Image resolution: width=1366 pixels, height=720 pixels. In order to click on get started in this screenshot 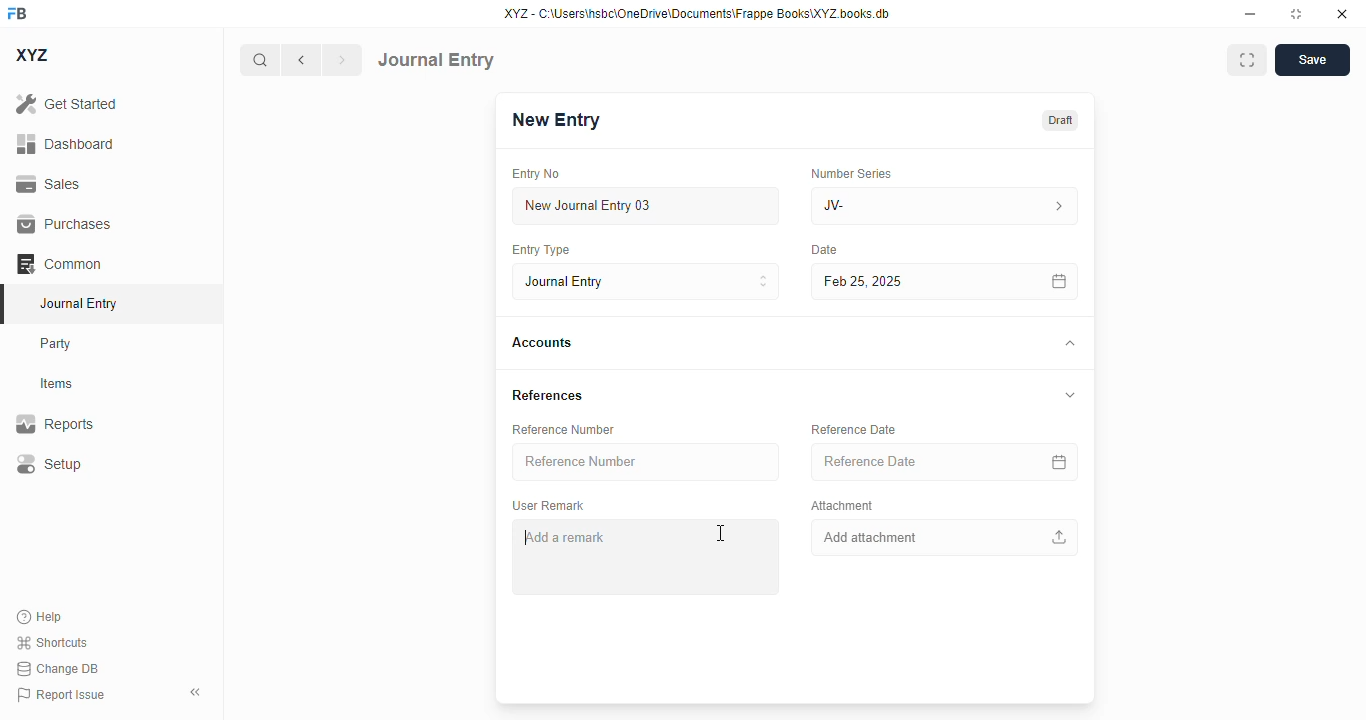, I will do `click(66, 103)`.